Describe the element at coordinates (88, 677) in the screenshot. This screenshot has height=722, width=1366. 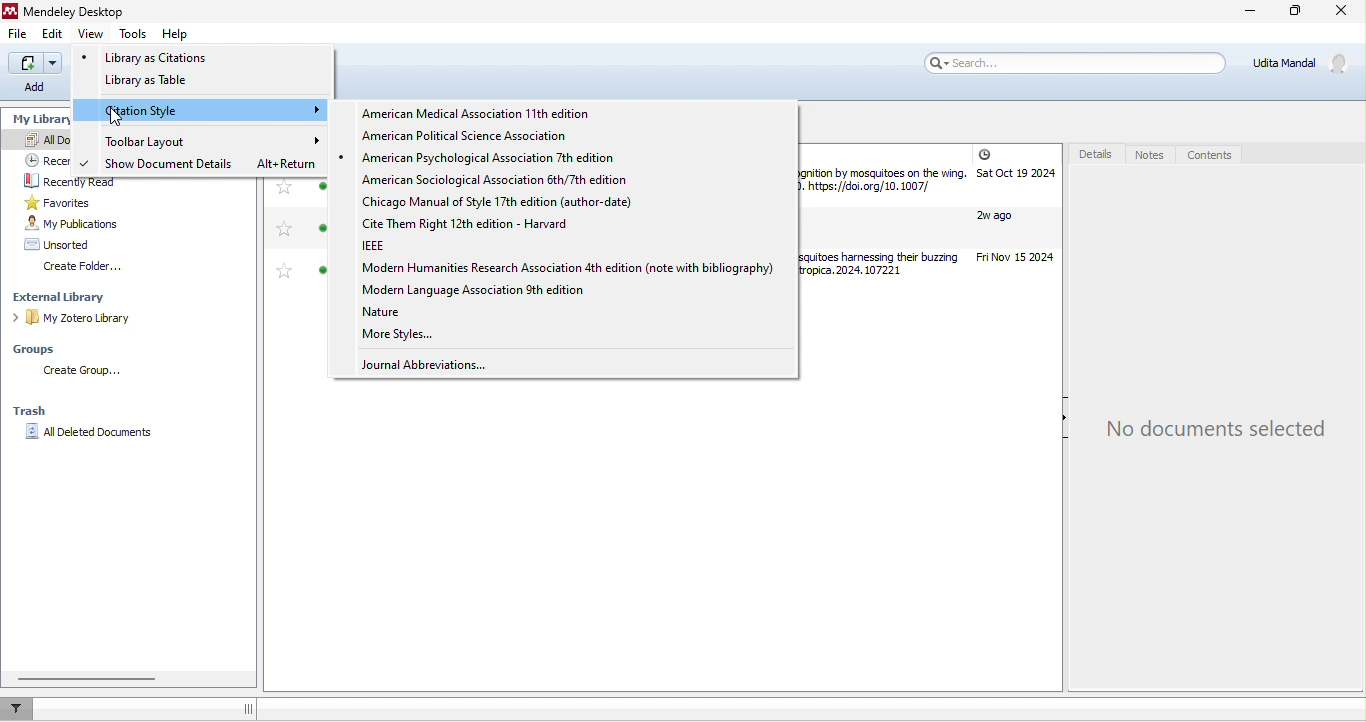
I see `horizontal scroll bar` at that location.